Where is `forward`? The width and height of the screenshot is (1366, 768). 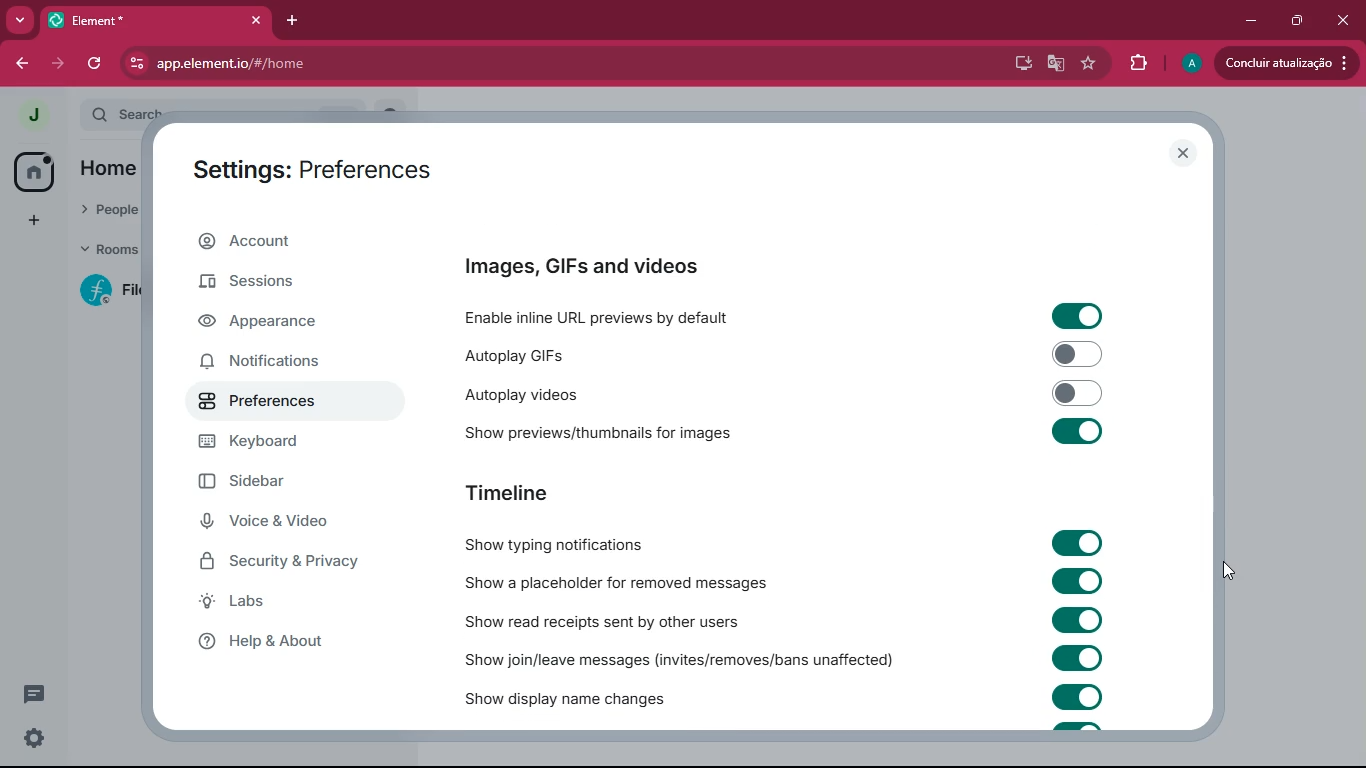
forward is located at coordinates (58, 64).